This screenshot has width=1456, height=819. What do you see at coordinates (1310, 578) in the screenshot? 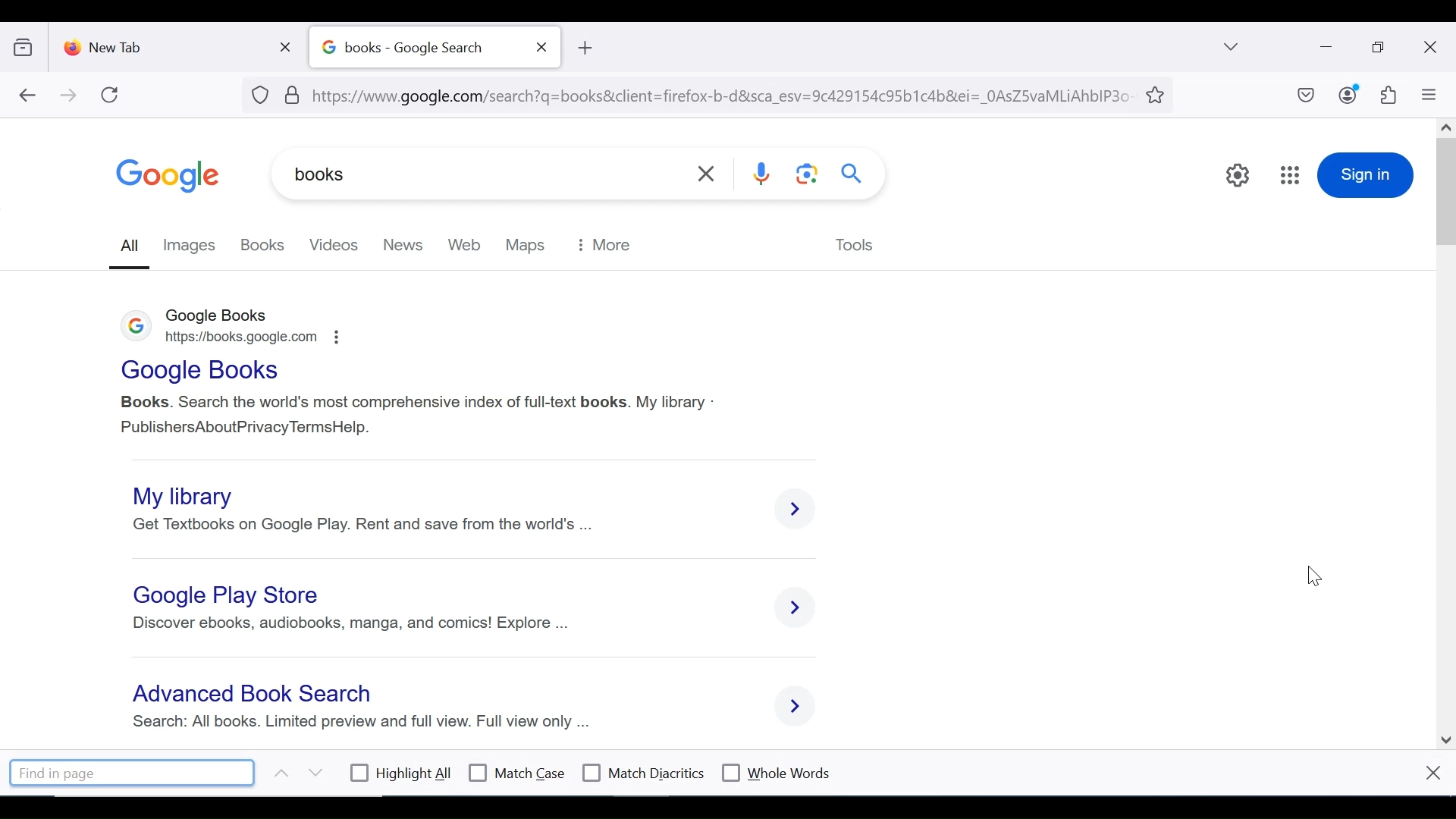
I see `mouse pointer` at bounding box center [1310, 578].